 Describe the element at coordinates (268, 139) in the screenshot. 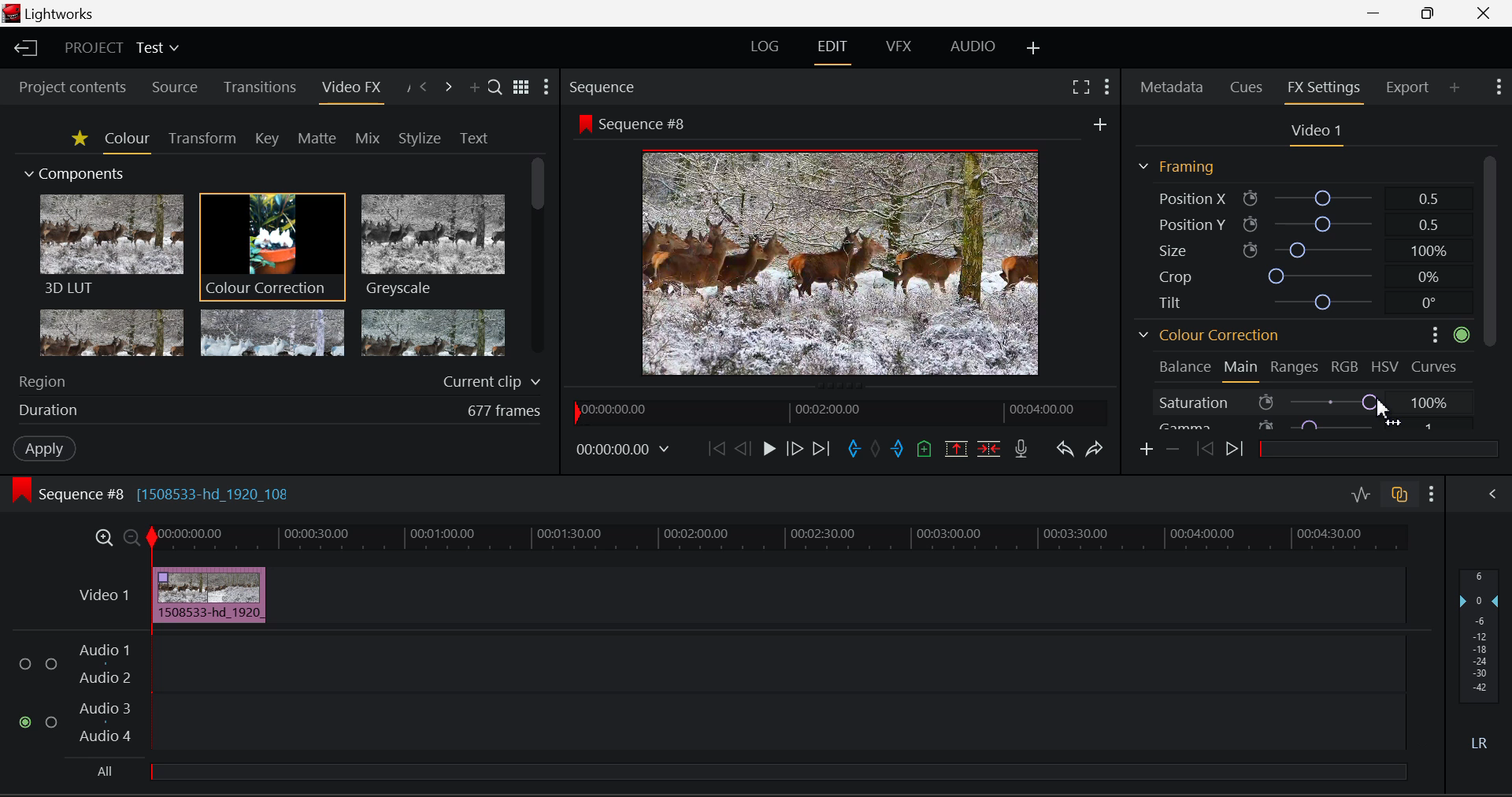

I see `Key` at that location.